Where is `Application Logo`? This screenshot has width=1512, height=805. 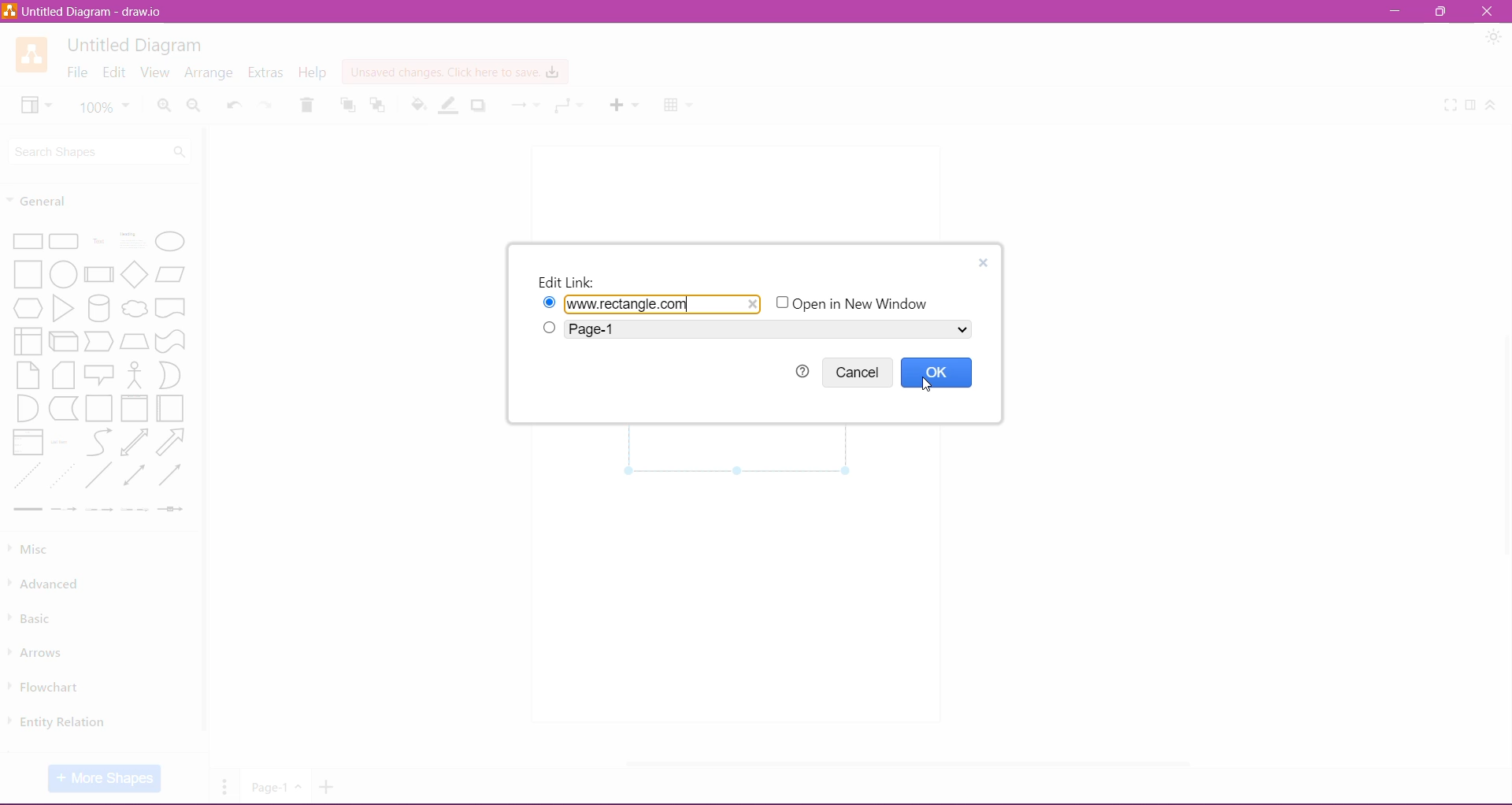
Application Logo is located at coordinates (31, 54).